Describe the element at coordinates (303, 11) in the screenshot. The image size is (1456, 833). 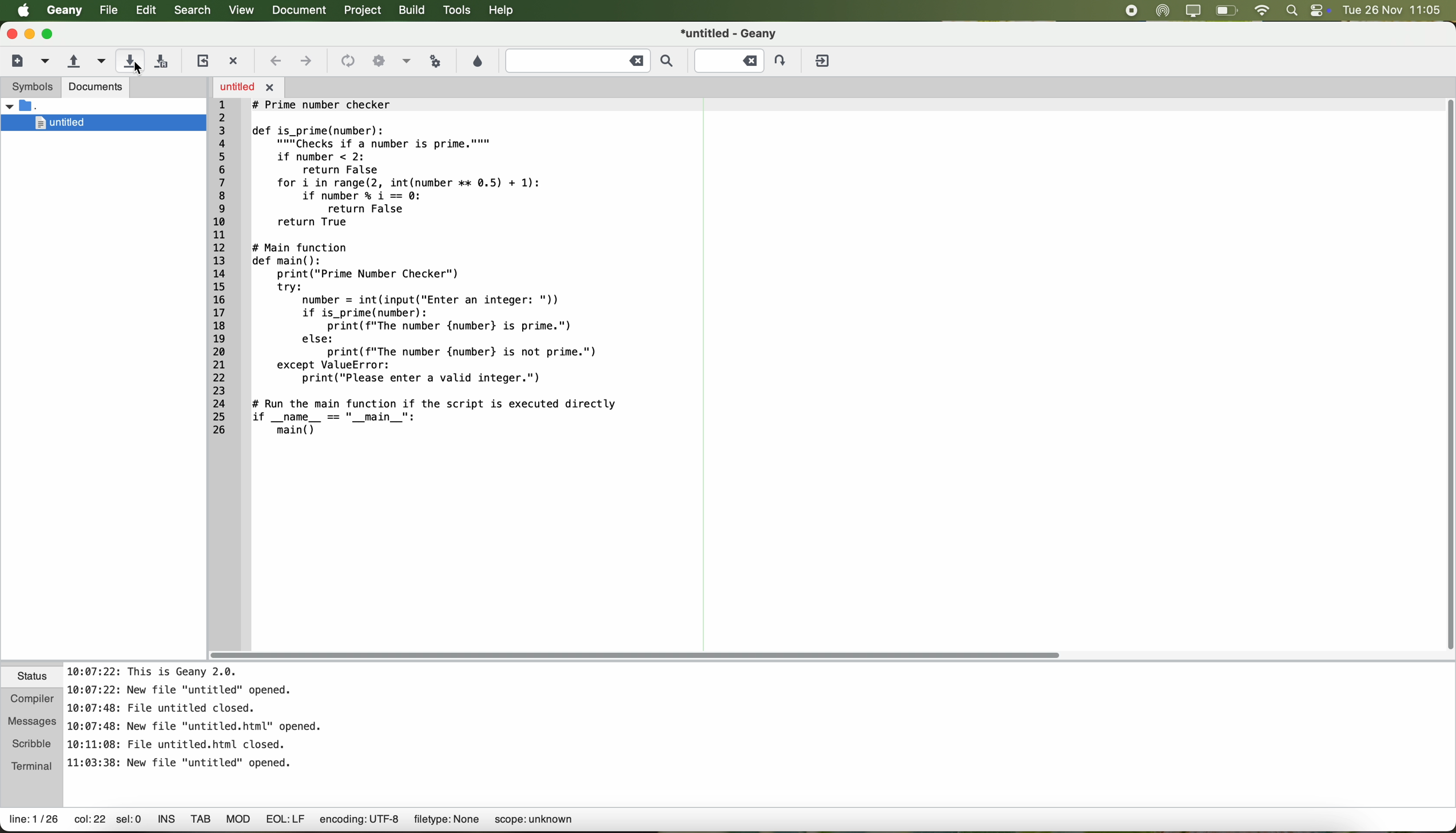
I see `document` at that location.